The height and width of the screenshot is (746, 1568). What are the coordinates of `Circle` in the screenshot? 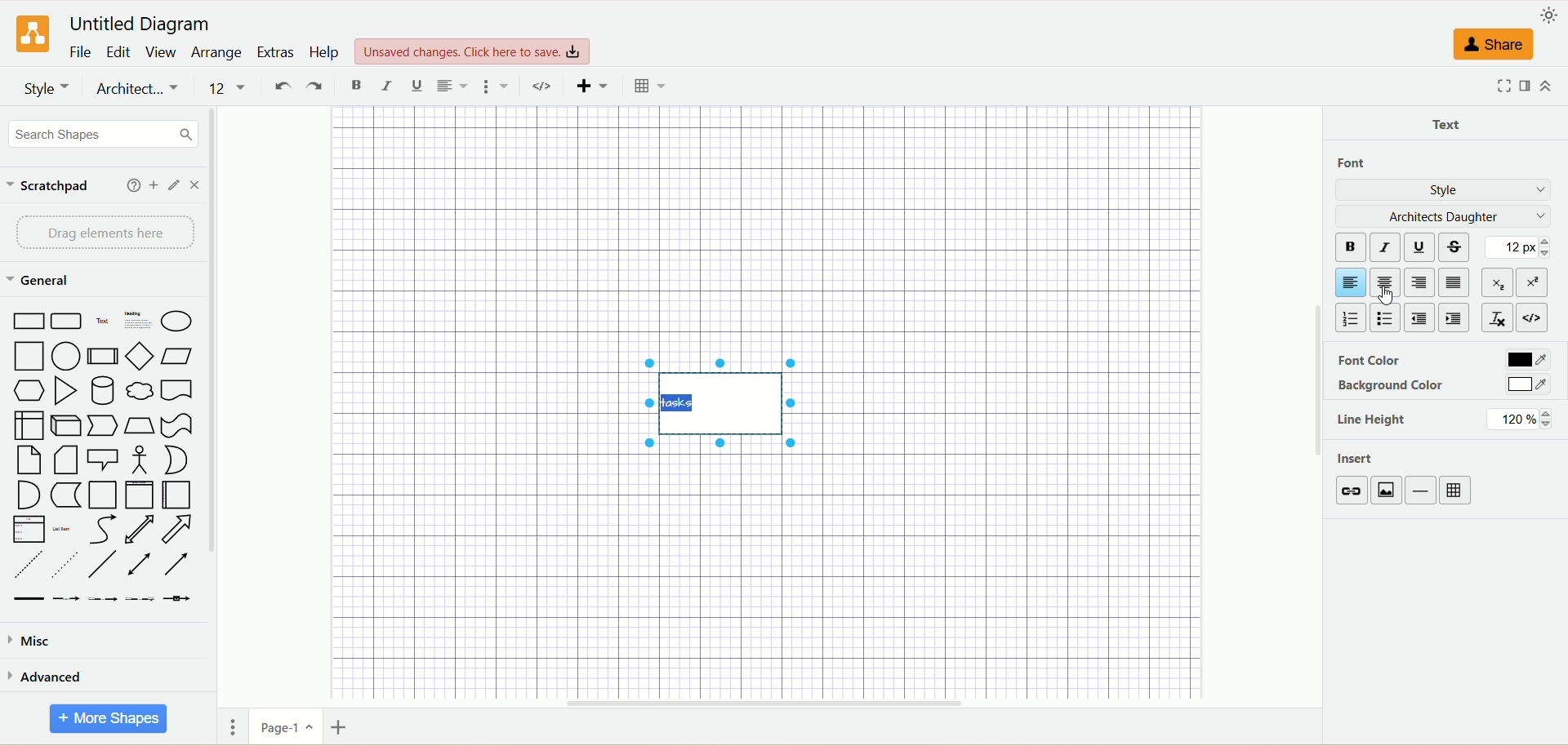 It's located at (67, 357).